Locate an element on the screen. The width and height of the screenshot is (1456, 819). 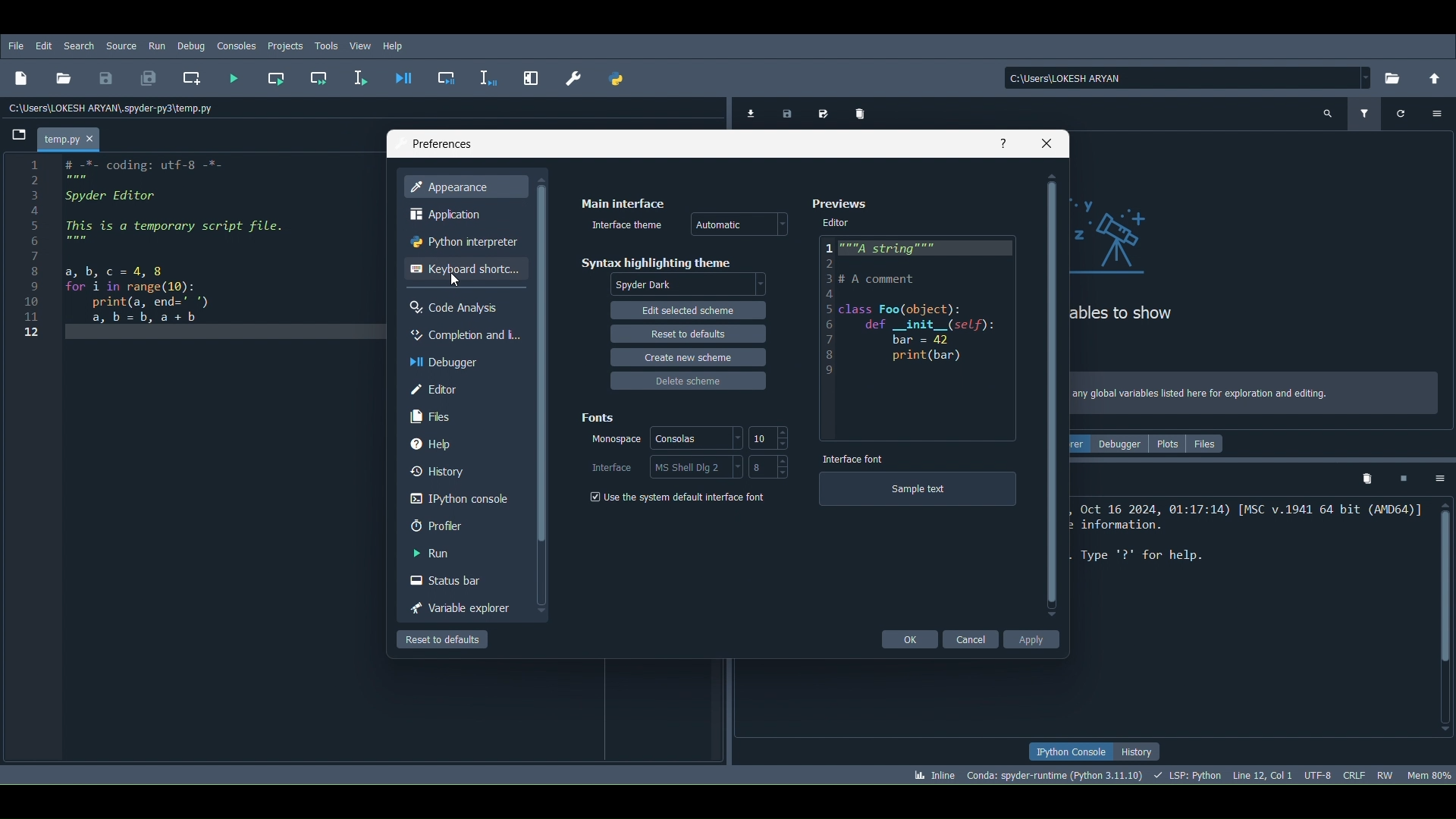
Run is located at coordinates (156, 46).